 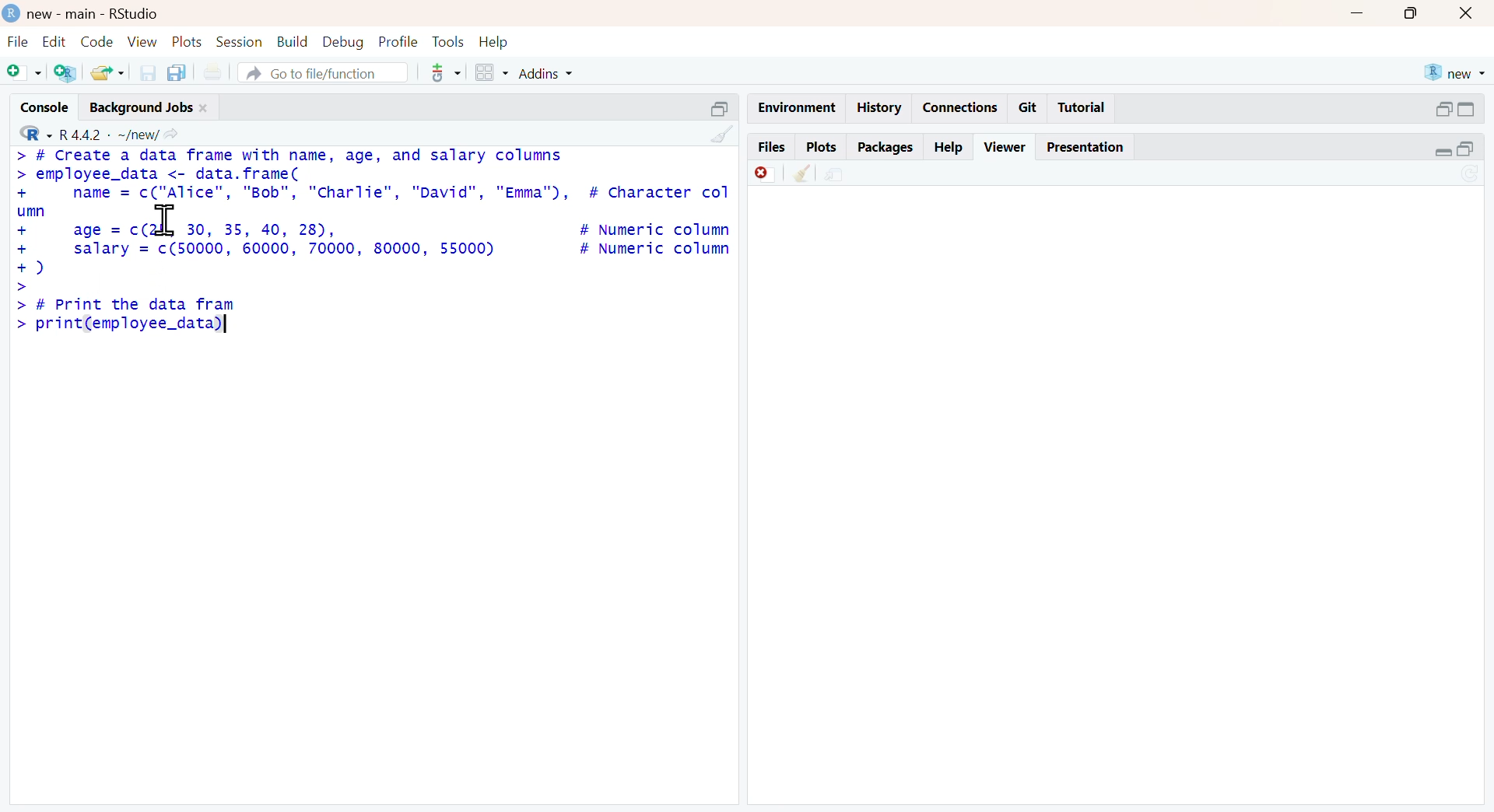 What do you see at coordinates (716, 133) in the screenshot?
I see `Clear console` at bounding box center [716, 133].